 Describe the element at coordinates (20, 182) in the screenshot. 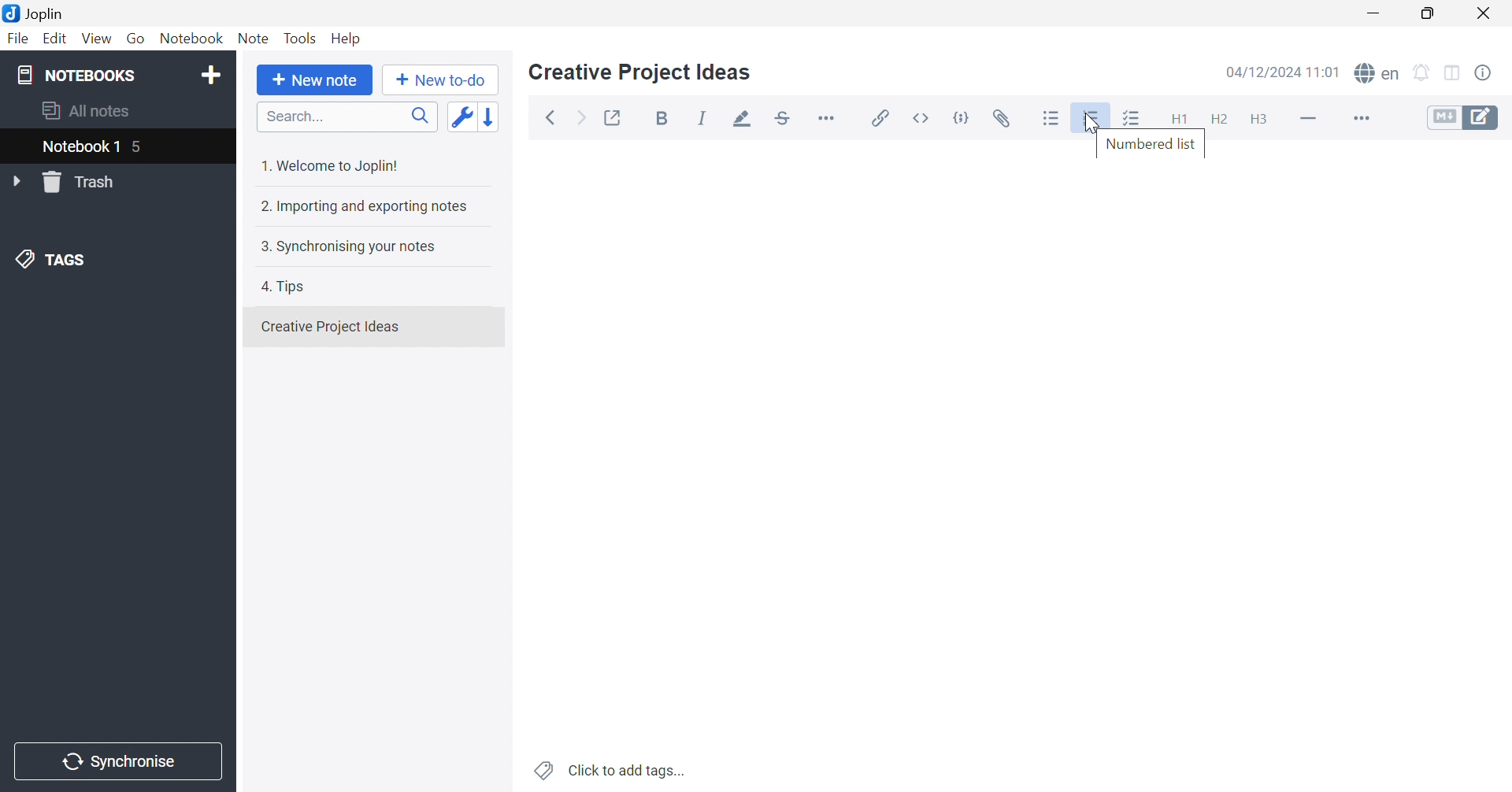

I see `Drop Down` at that location.